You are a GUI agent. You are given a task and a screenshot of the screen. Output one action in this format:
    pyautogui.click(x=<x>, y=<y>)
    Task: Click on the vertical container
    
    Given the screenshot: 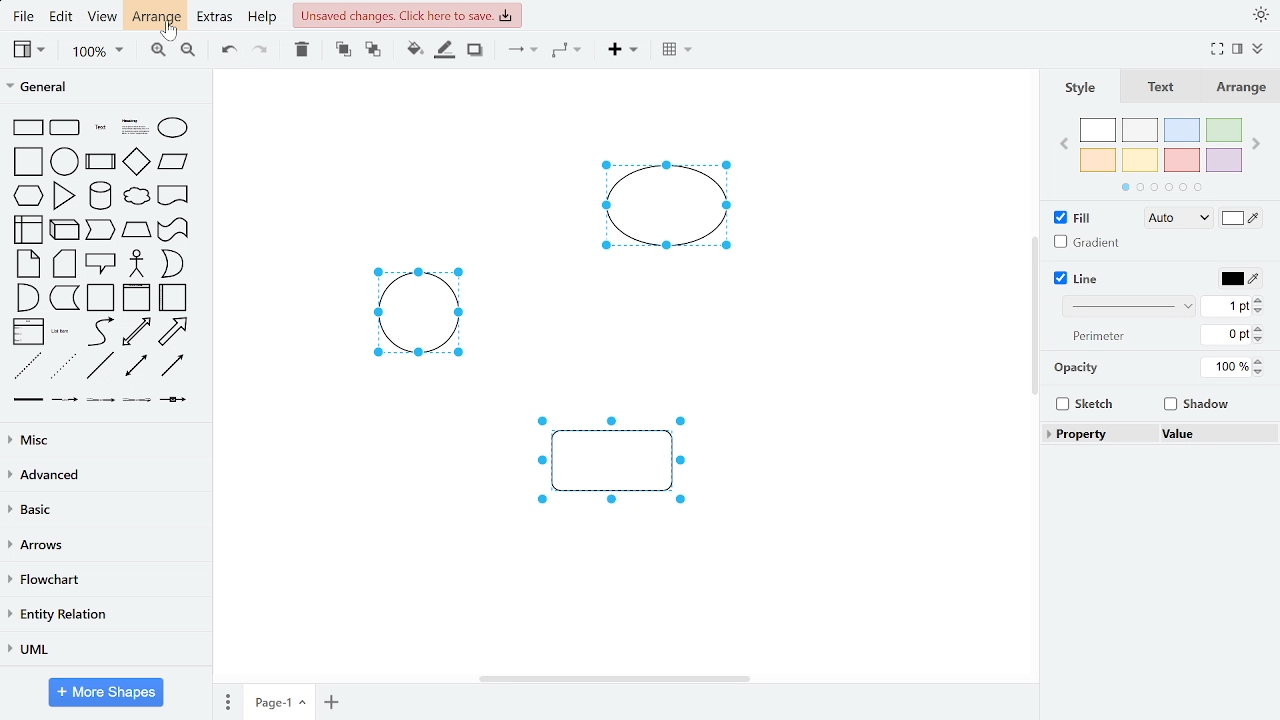 What is the action you would take?
    pyautogui.click(x=136, y=299)
    